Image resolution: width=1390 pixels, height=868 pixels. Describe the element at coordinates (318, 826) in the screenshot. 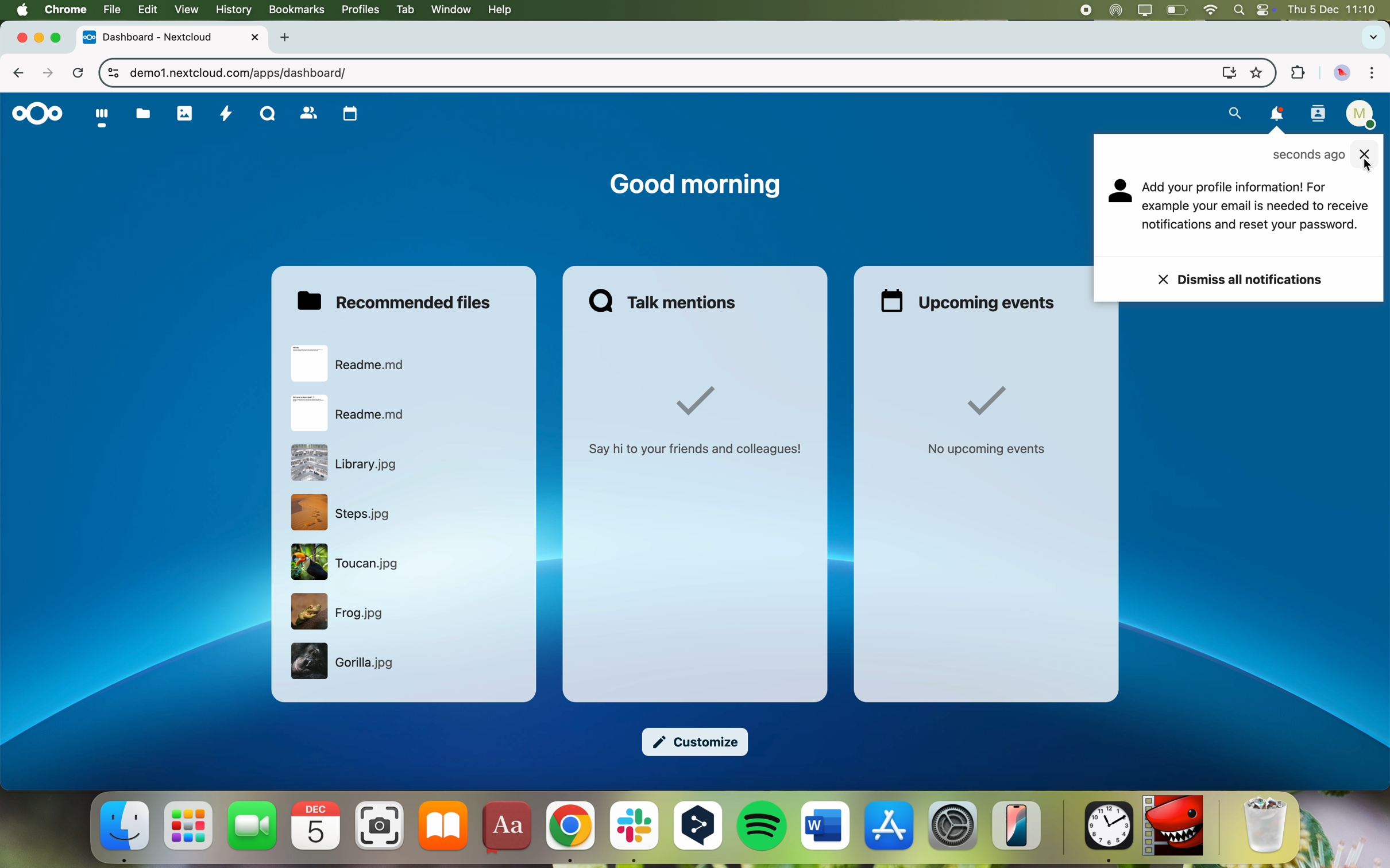

I see `calendar` at that location.